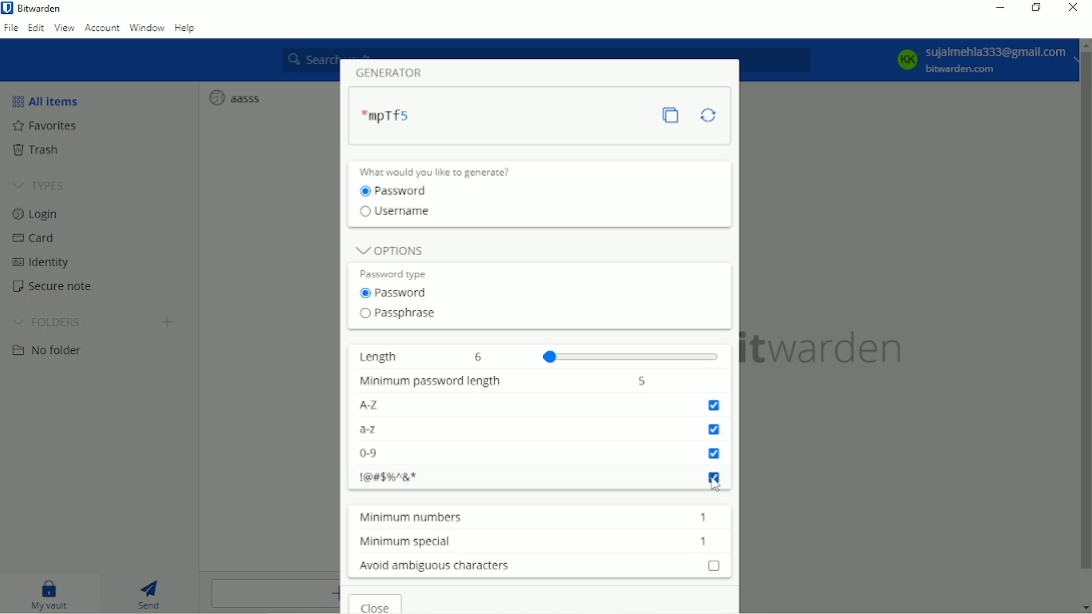 This screenshot has width=1092, height=614. I want to click on Length, so click(384, 357).